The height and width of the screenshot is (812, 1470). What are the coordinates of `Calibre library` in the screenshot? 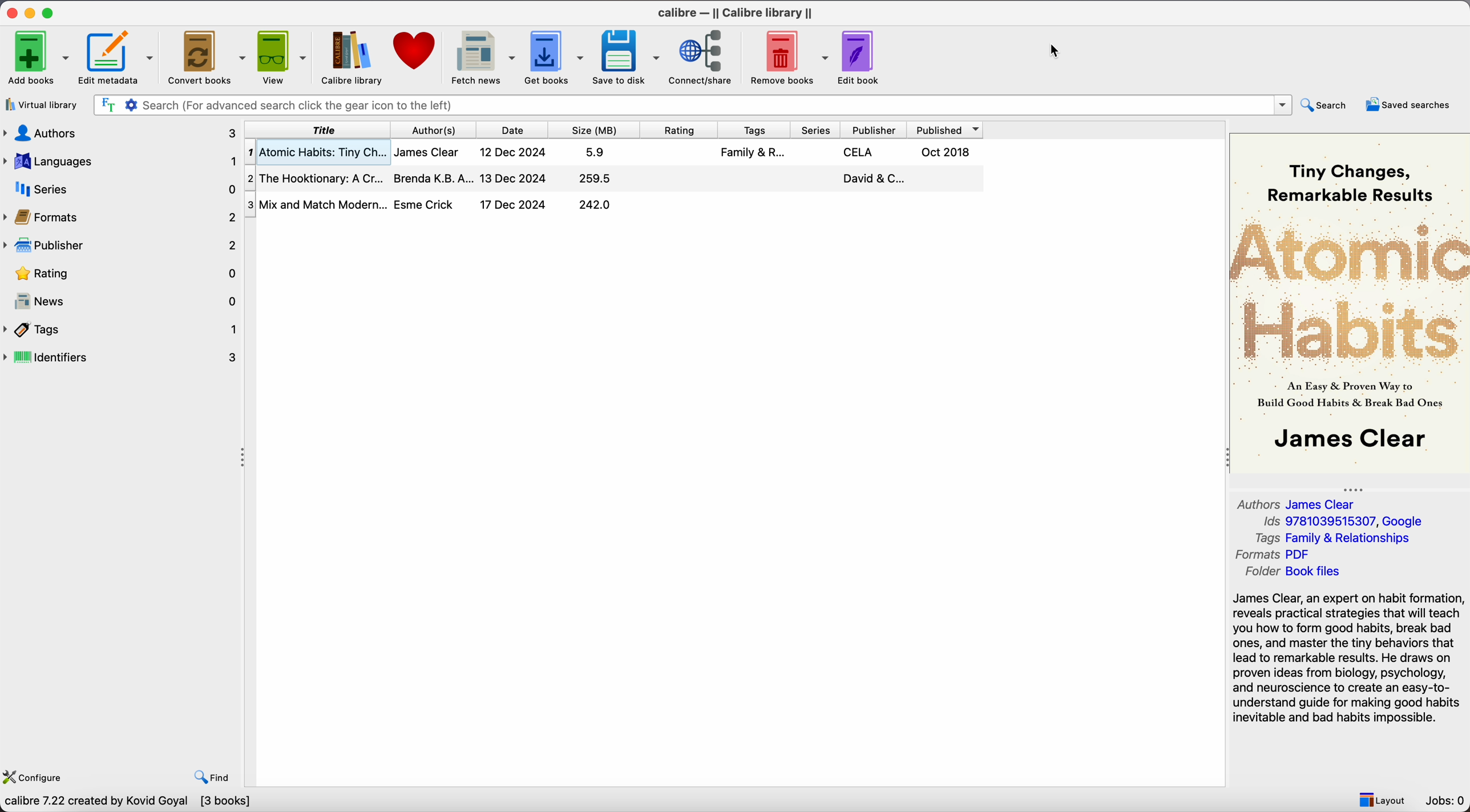 It's located at (351, 57).